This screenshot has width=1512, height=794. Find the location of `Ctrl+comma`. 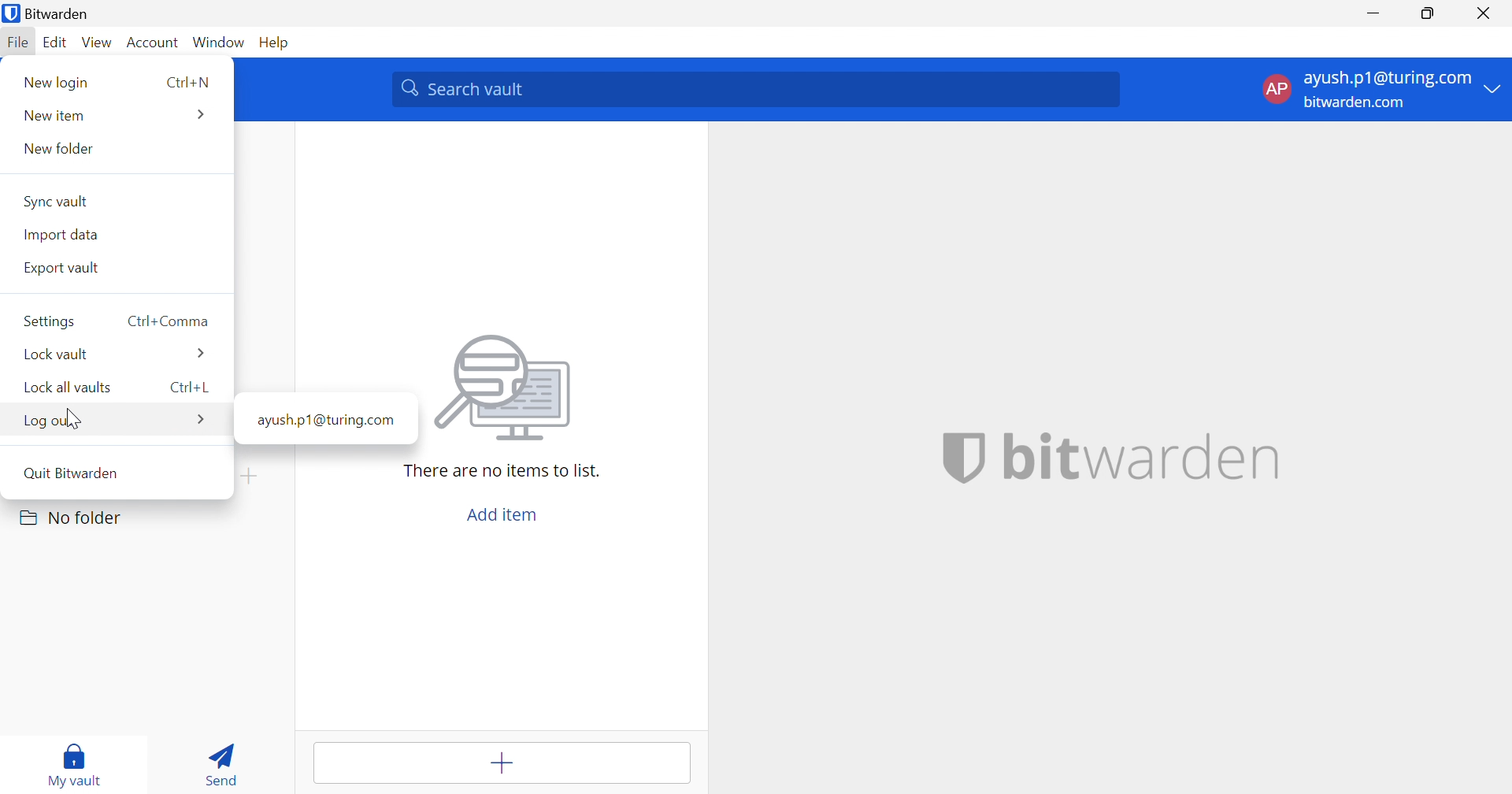

Ctrl+comma is located at coordinates (169, 321).